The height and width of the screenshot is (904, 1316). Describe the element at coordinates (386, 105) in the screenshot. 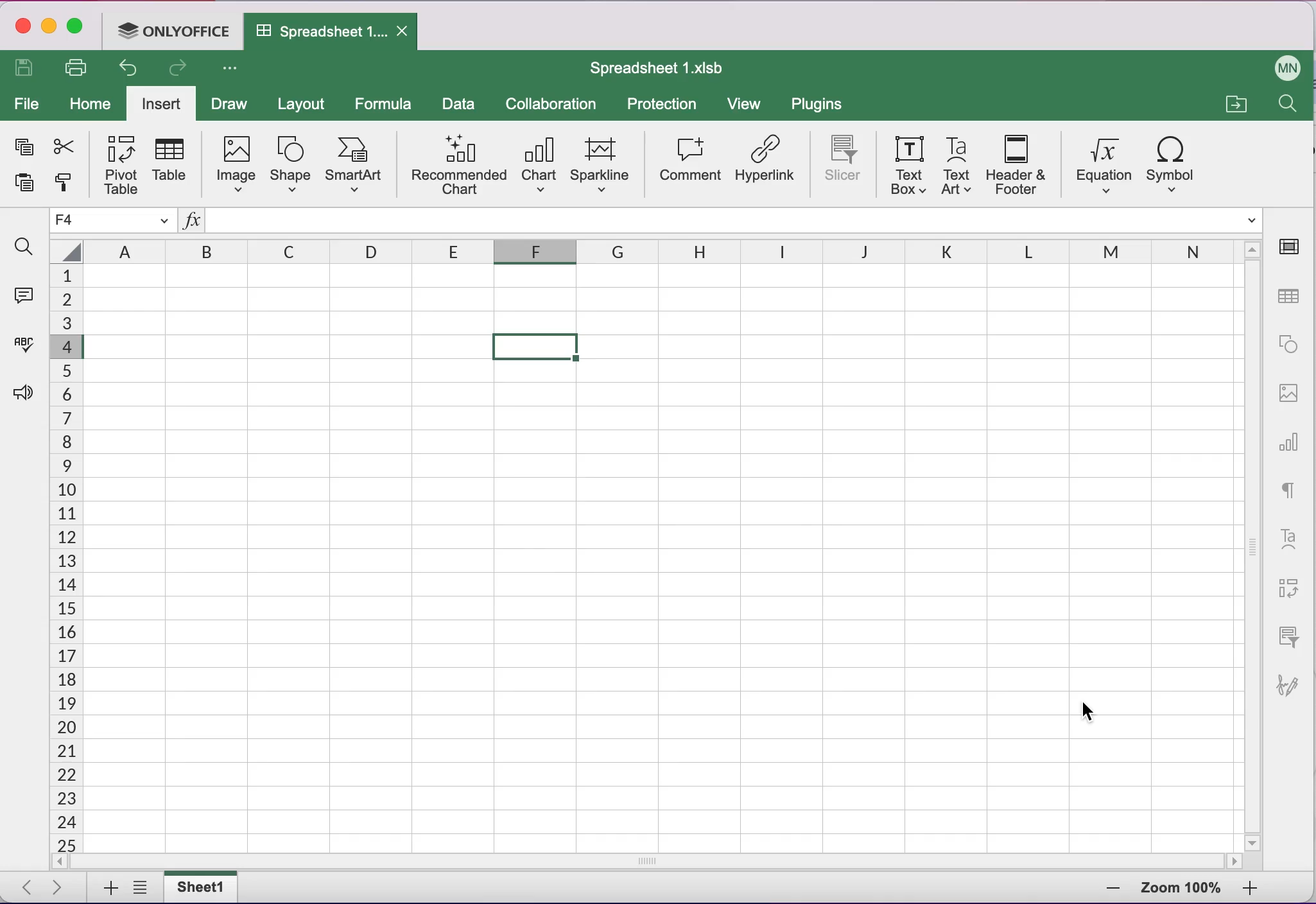

I see `formula` at that location.